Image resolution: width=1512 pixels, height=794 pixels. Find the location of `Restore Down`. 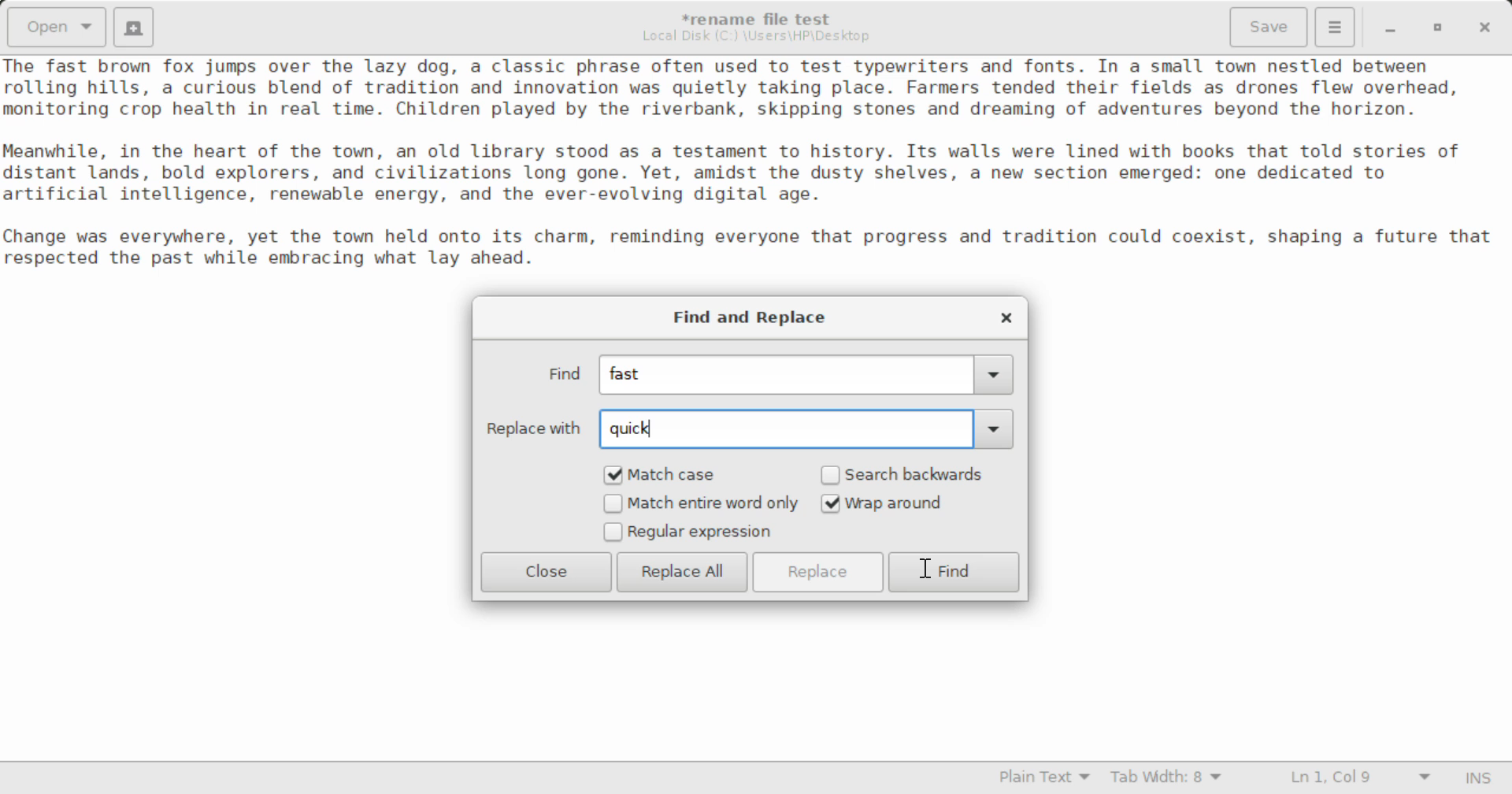

Restore Down is located at coordinates (1393, 27).